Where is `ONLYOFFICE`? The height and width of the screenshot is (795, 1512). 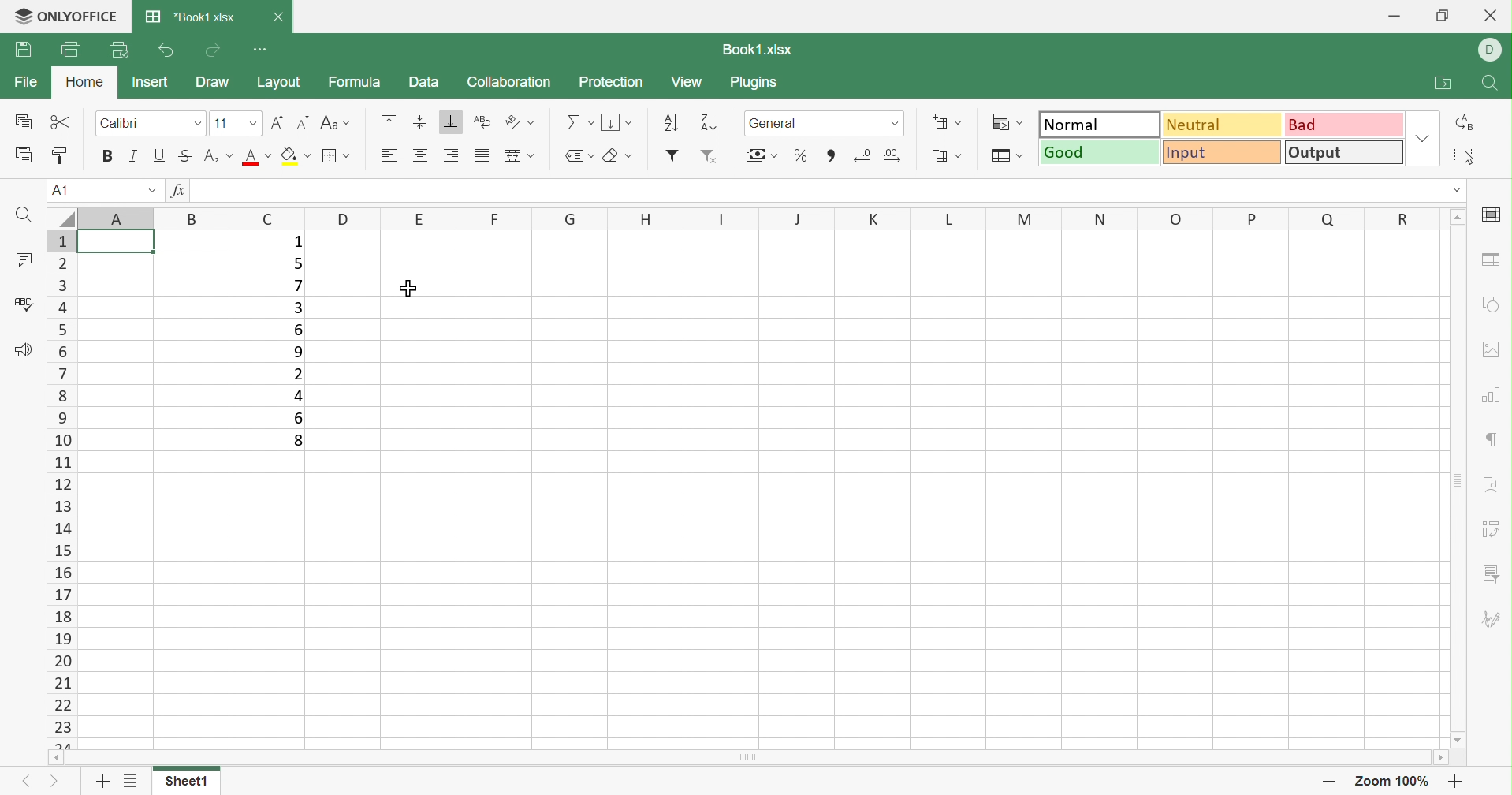 ONLYOFFICE is located at coordinates (63, 17).